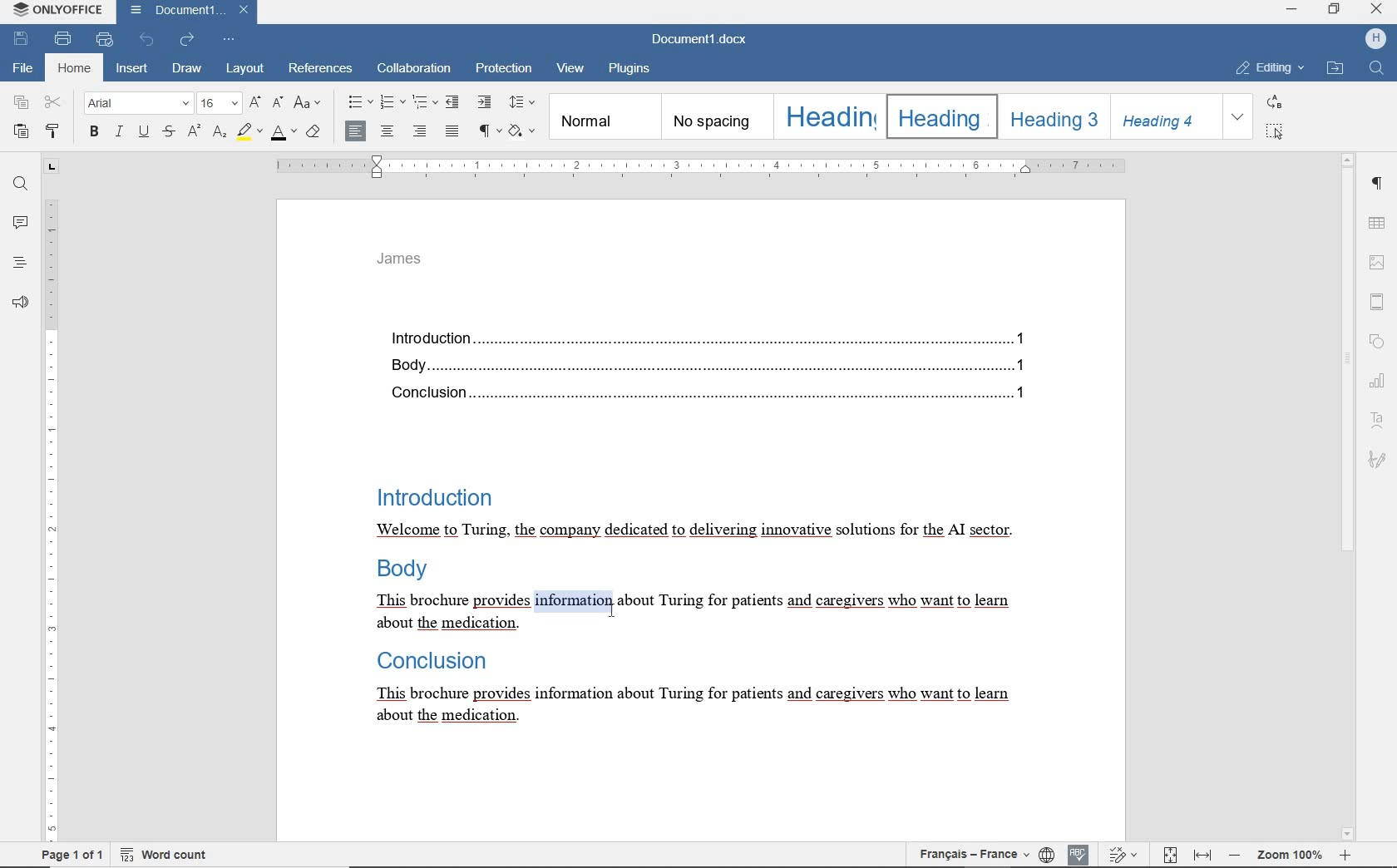 The width and height of the screenshot is (1397, 868). Describe the element at coordinates (132, 69) in the screenshot. I see `INSERT` at that location.